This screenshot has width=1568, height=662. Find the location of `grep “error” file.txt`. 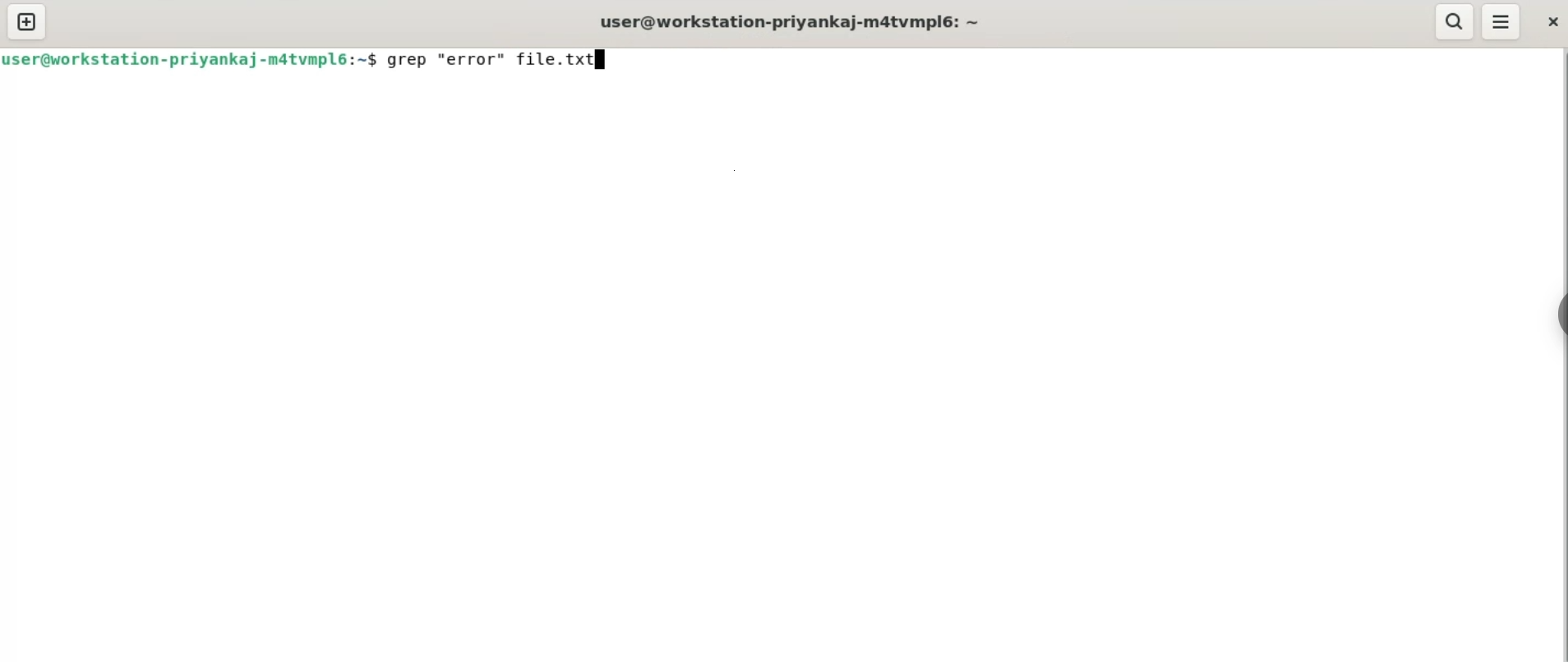

grep “error” file.txt is located at coordinates (502, 58).